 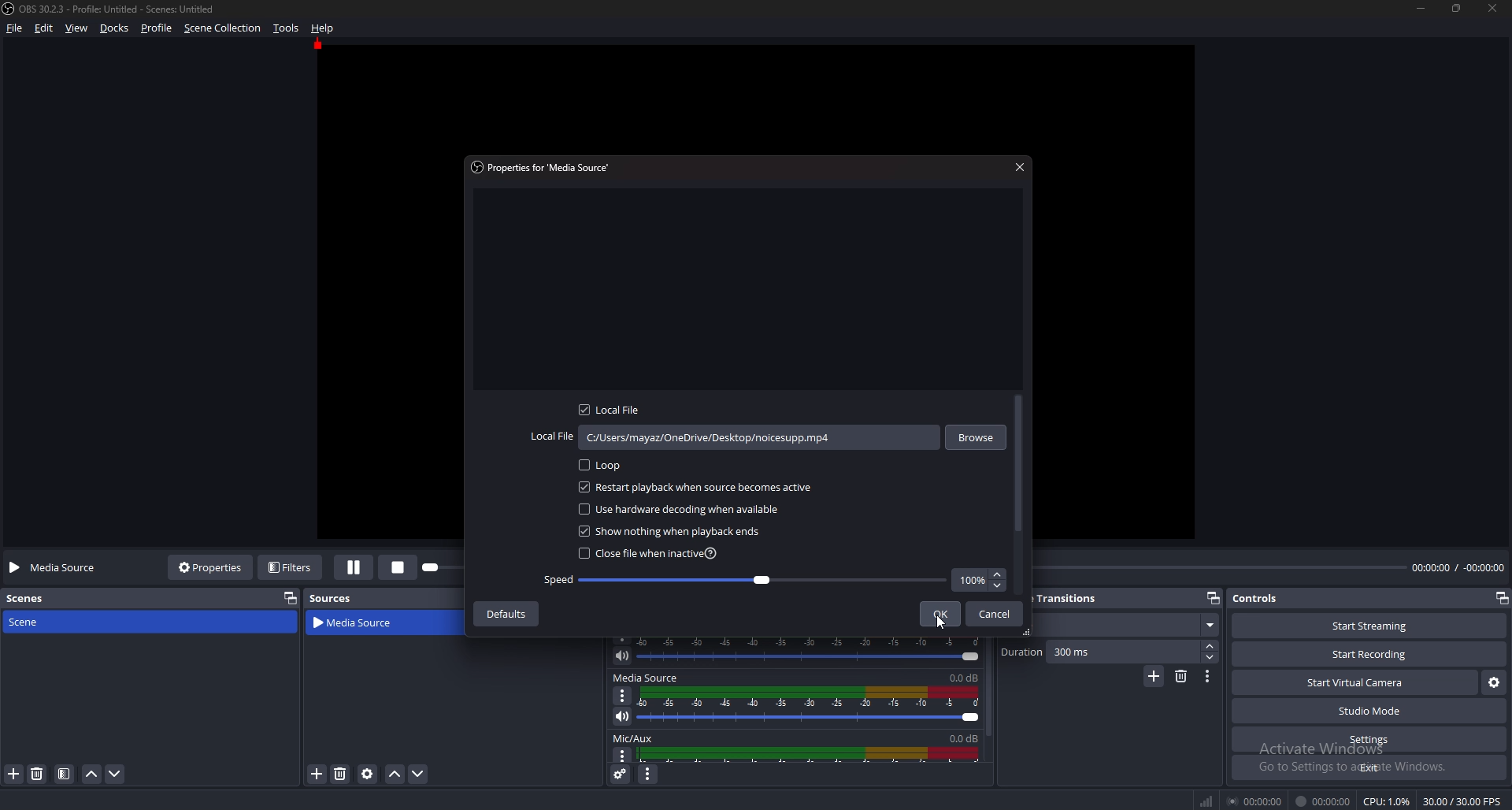 What do you see at coordinates (966, 676) in the screenshot?
I see `0.0db` at bounding box center [966, 676].